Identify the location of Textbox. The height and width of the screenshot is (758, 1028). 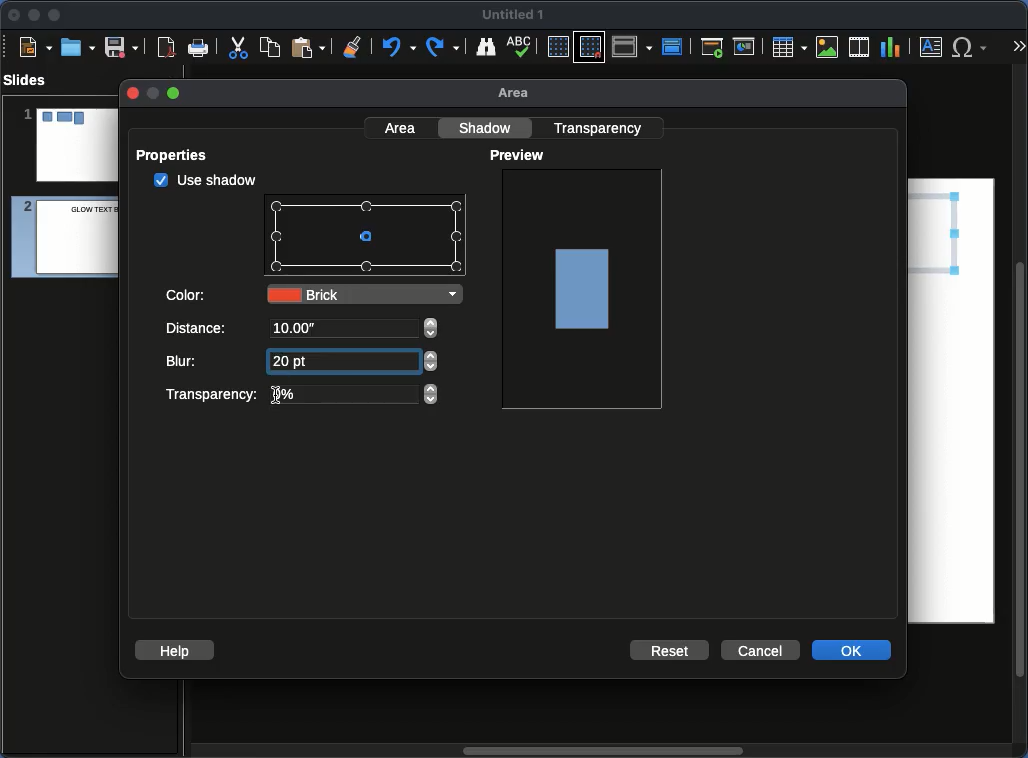
(932, 46).